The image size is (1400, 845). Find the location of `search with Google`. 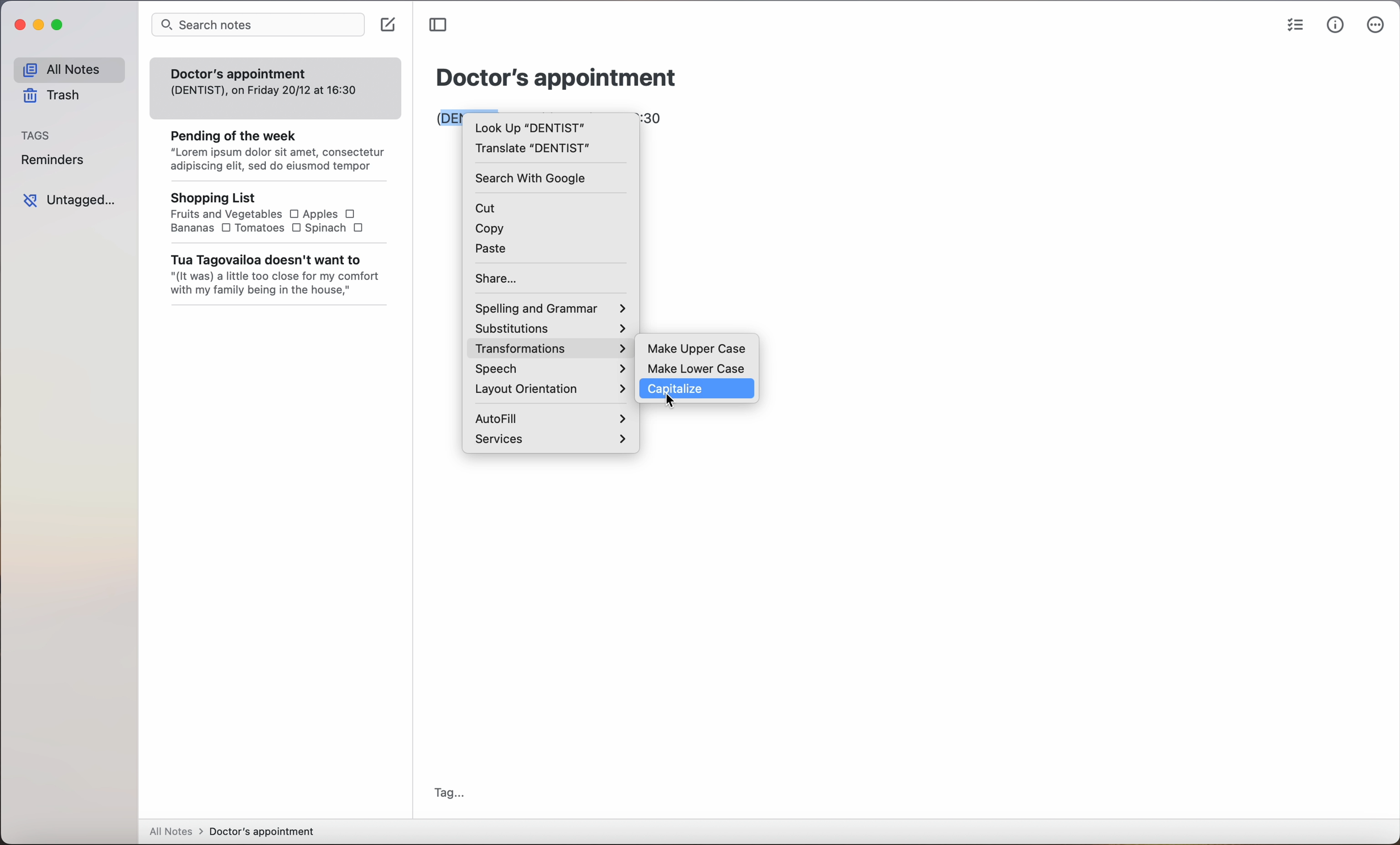

search with Google is located at coordinates (533, 179).